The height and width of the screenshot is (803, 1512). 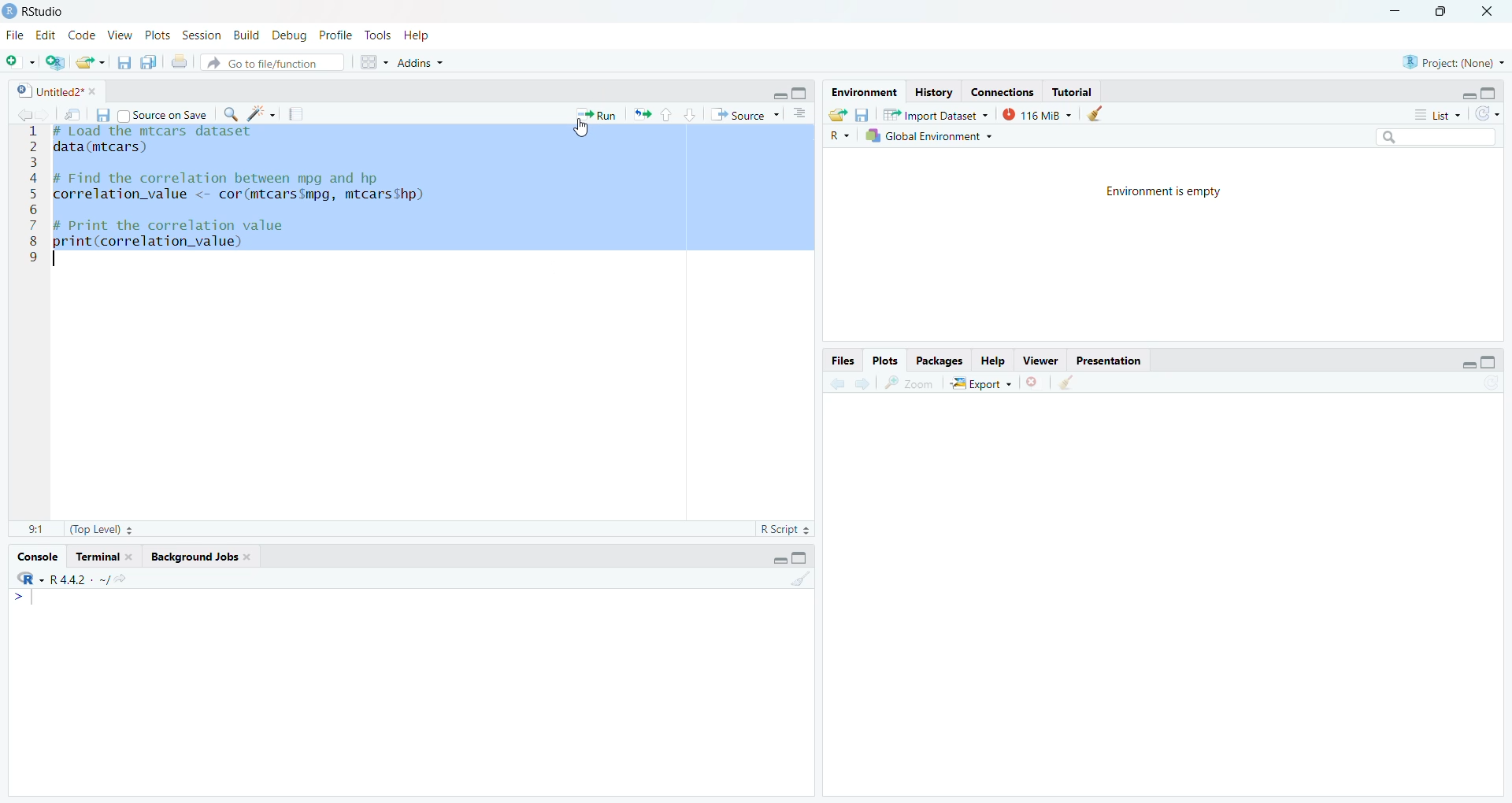 What do you see at coordinates (1492, 9) in the screenshot?
I see `Close` at bounding box center [1492, 9].